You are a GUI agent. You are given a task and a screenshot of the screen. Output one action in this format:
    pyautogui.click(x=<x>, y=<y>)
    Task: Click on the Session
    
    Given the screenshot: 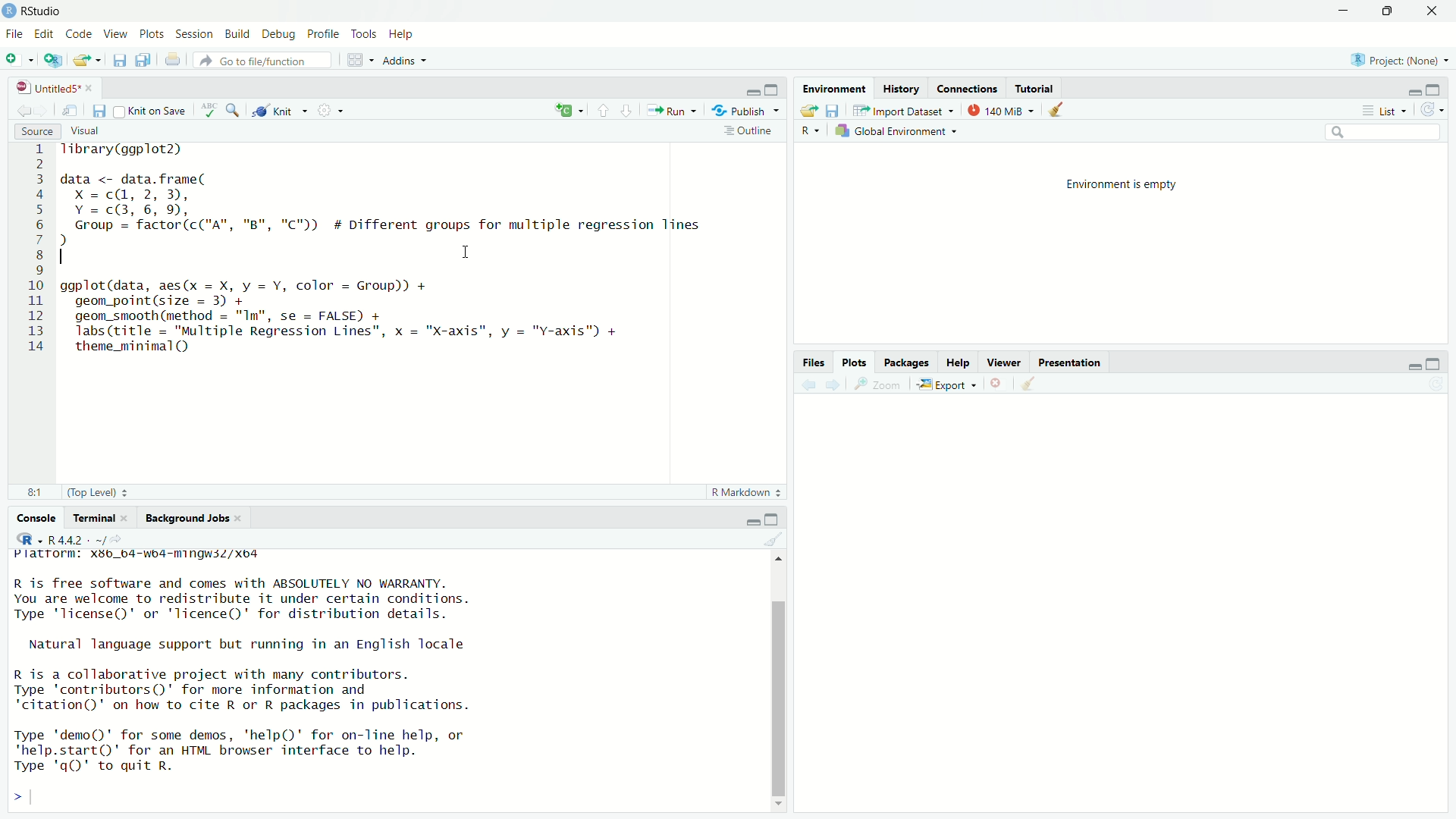 What is the action you would take?
    pyautogui.click(x=194, y=33)
    